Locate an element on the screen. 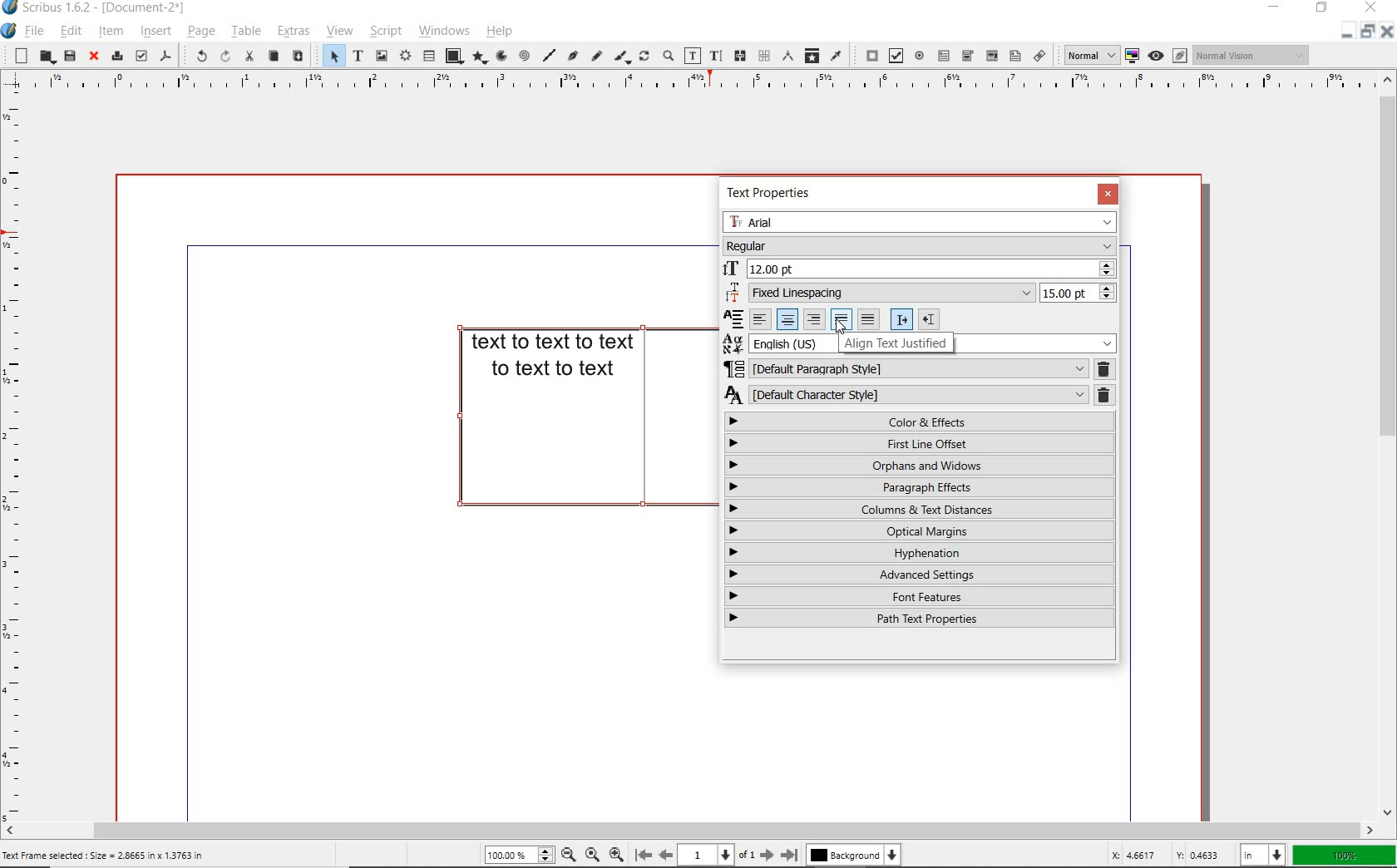 The height and width of the screenshot is (868, 1397). scrollbar is located at coordinates (1389, 446).